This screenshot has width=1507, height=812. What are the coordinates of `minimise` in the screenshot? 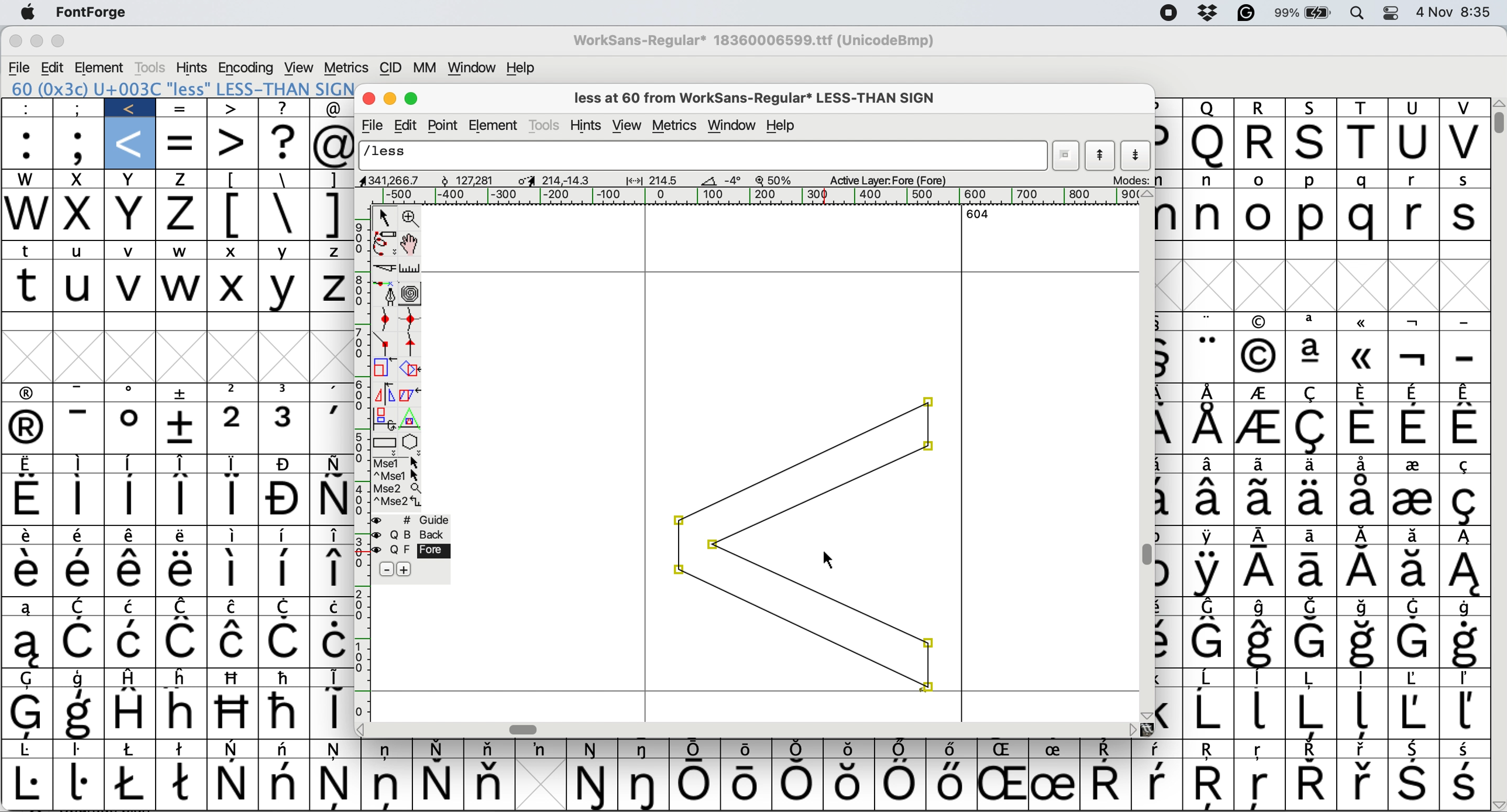 It's located at (37, 42).